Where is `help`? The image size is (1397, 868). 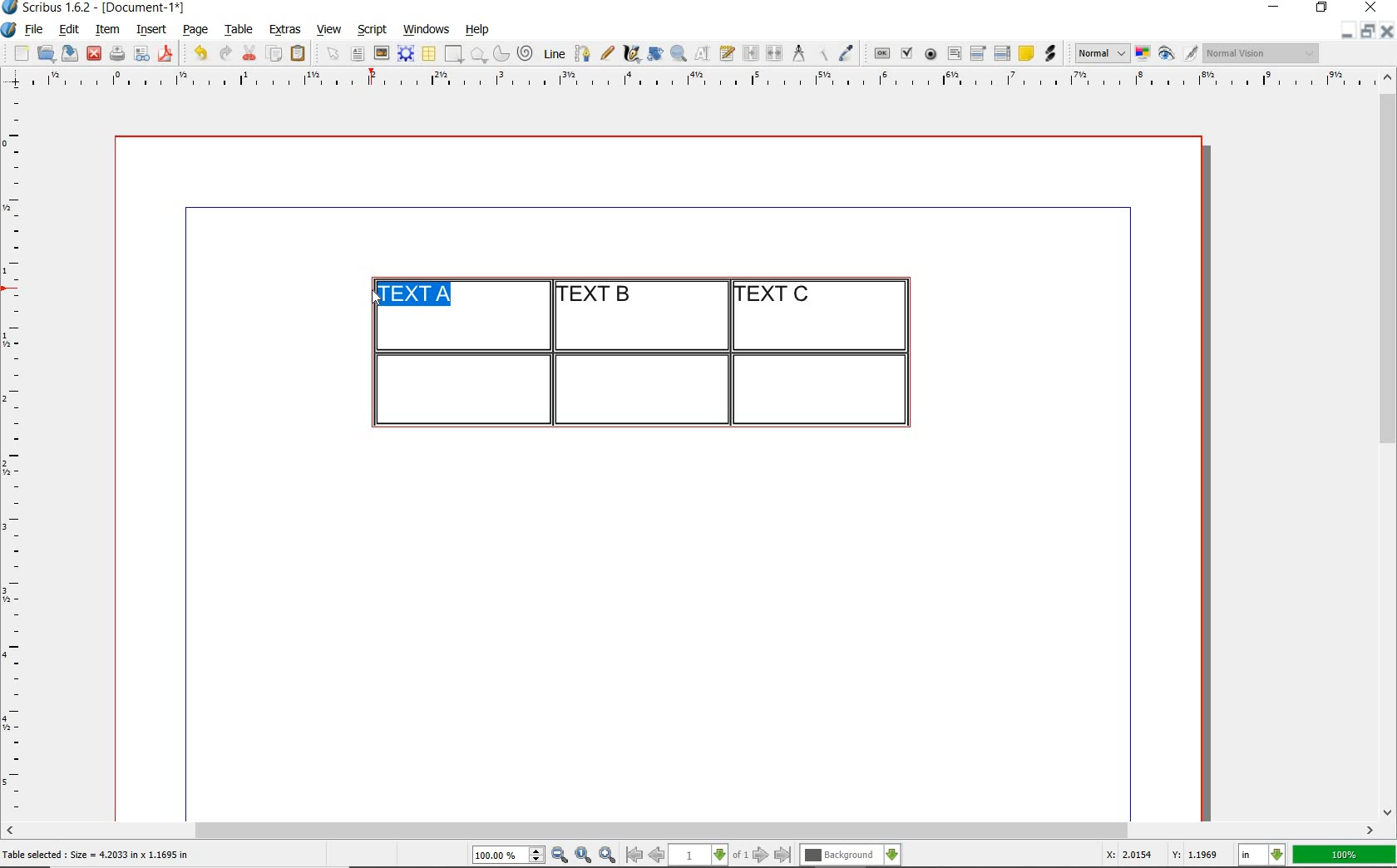
help is located at coordinates (476, 31).